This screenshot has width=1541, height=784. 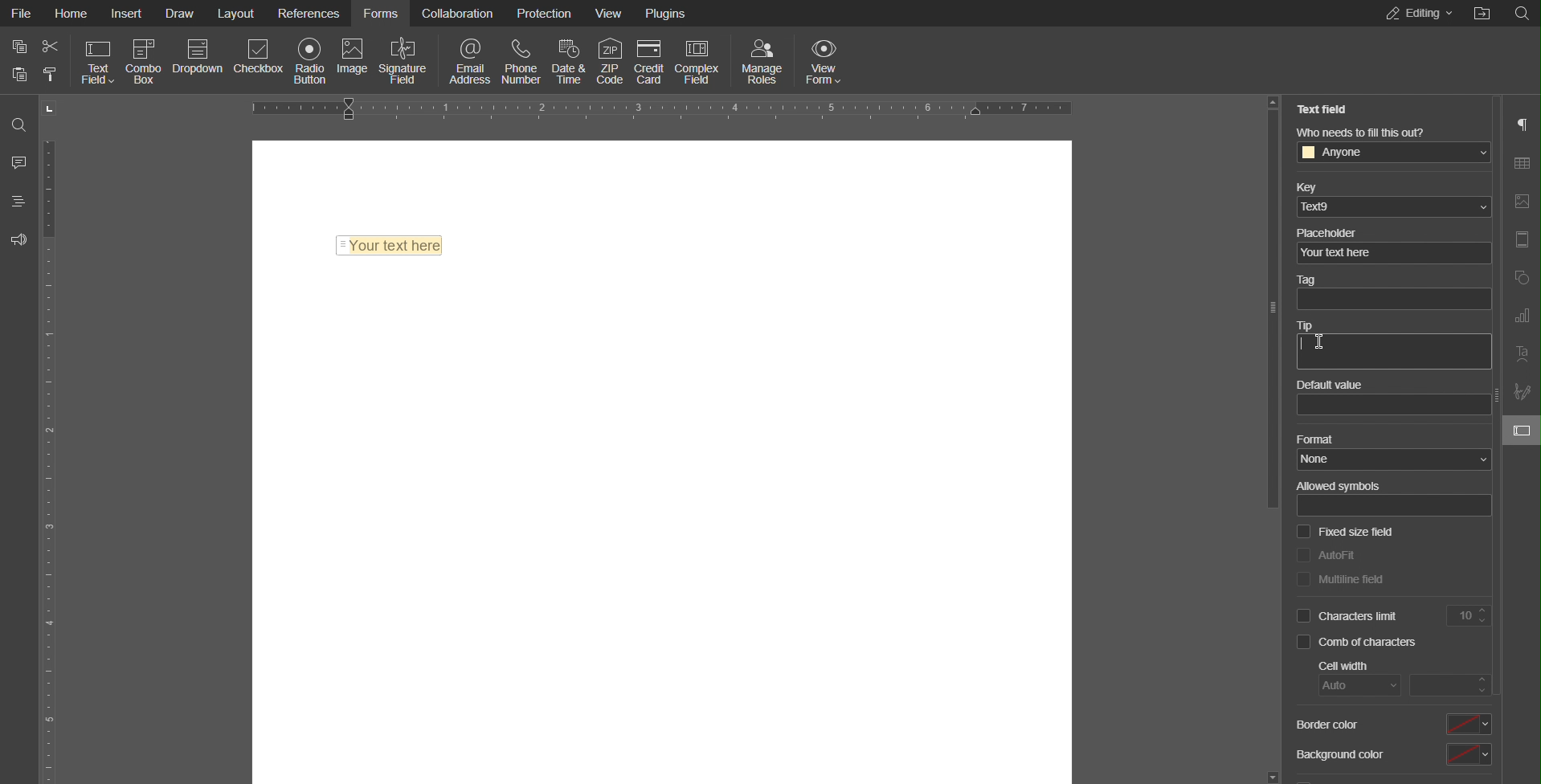 I want to click on Comb of characters, so click(x=1372, y=643).